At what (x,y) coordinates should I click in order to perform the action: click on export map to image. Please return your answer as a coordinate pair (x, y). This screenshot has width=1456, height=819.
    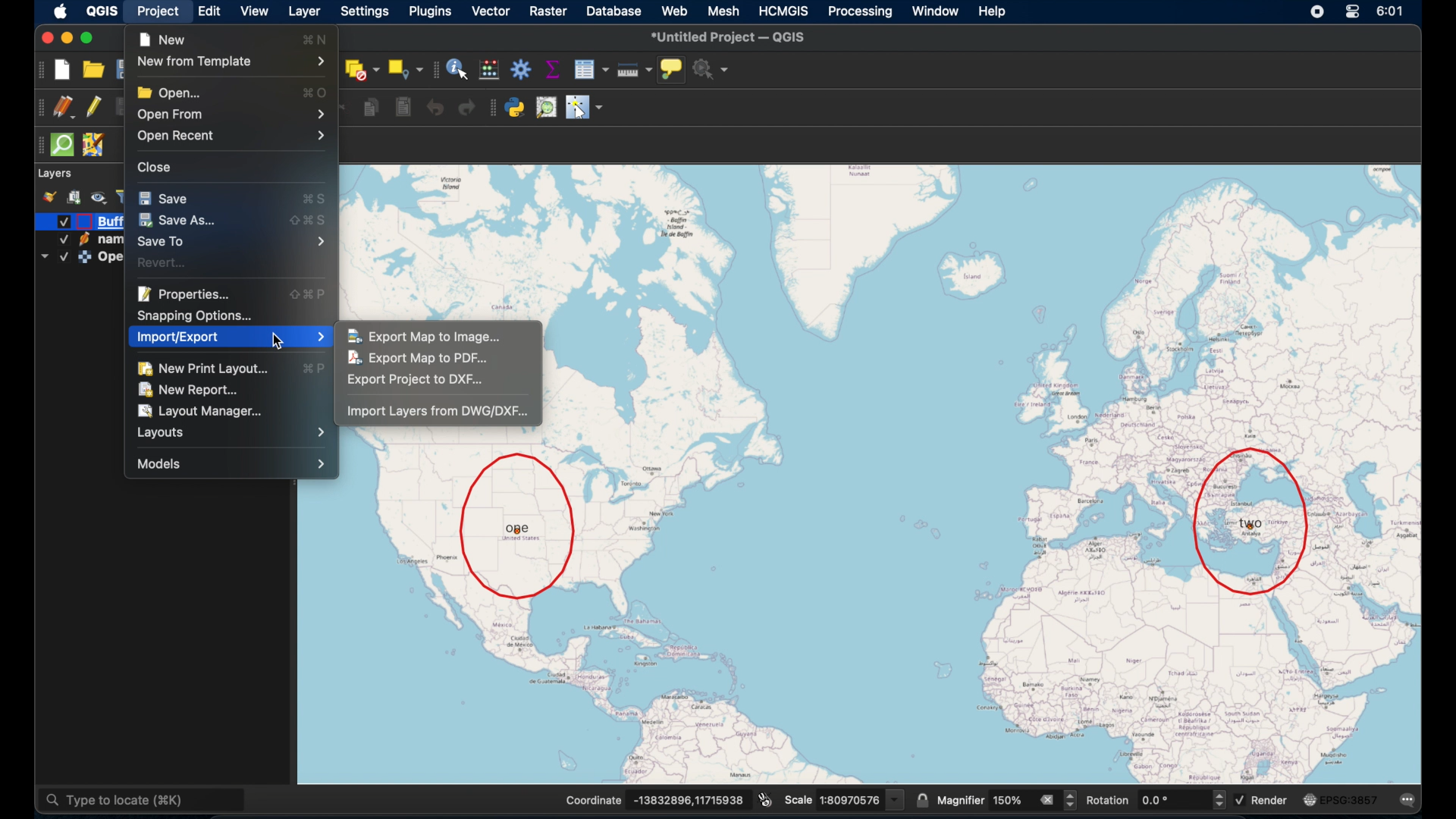
    Looking at the image, I should click on (430, 335).